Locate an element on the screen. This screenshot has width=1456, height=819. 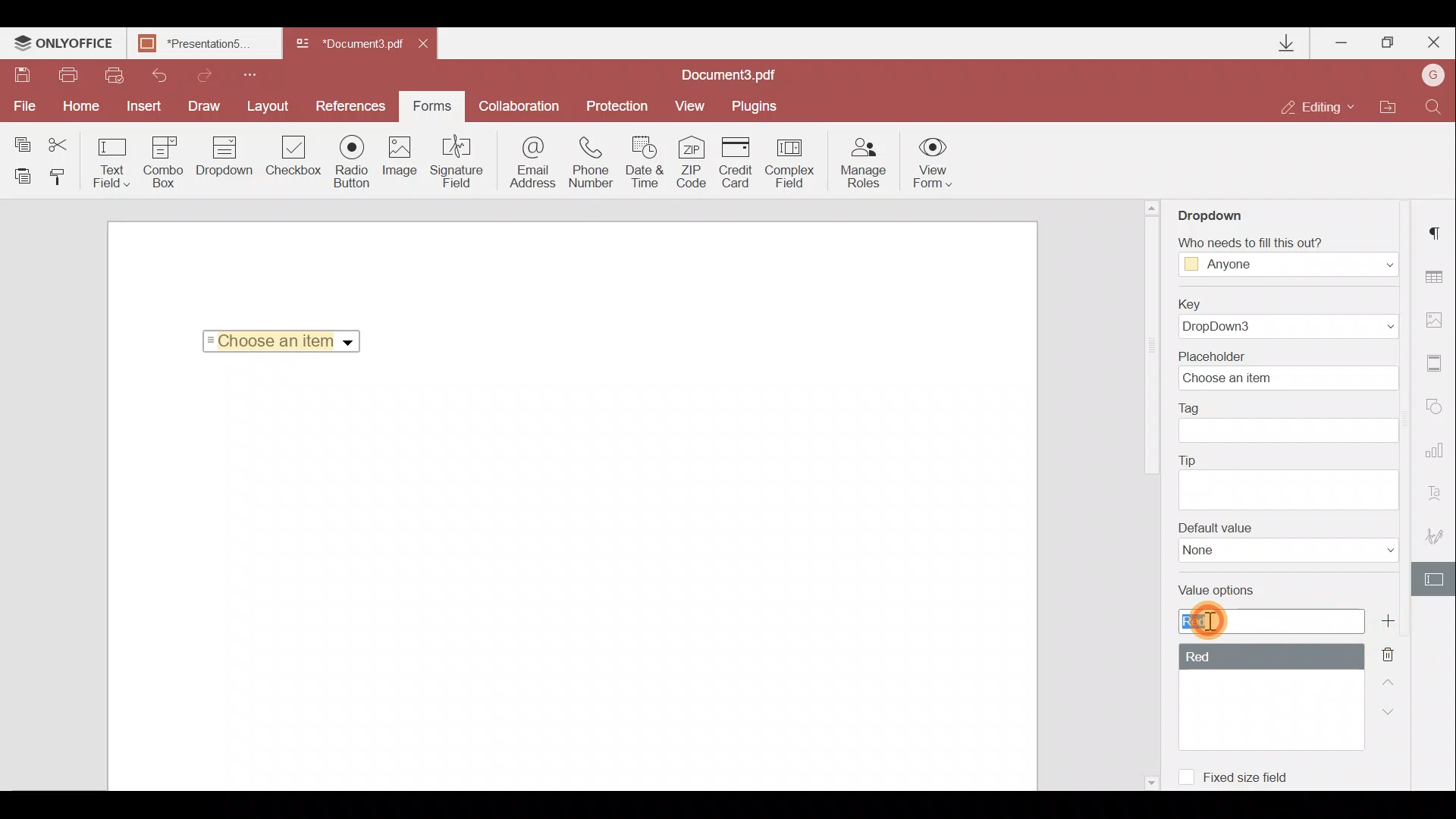
ONLYOFFICE is located at coordinates (64, 45).